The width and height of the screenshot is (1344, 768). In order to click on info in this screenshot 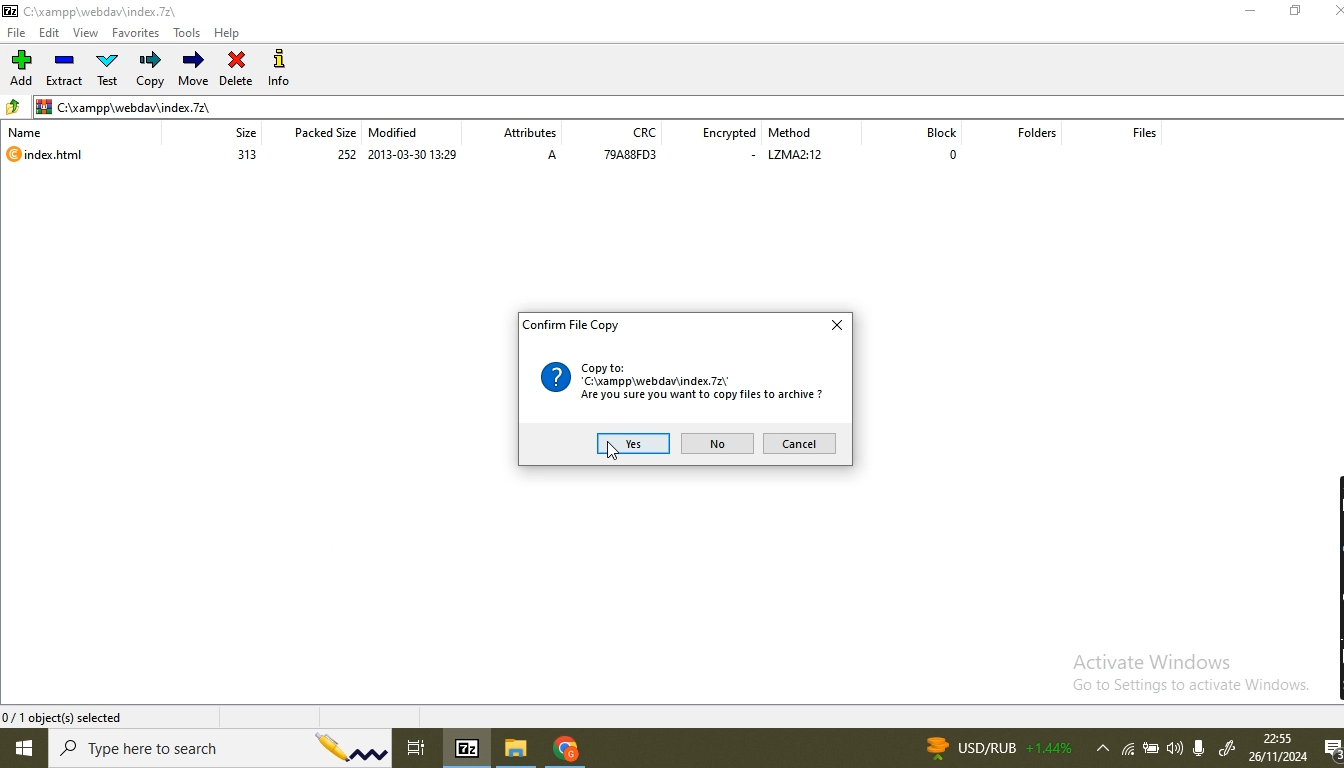, I will do `click(284, 68)`.